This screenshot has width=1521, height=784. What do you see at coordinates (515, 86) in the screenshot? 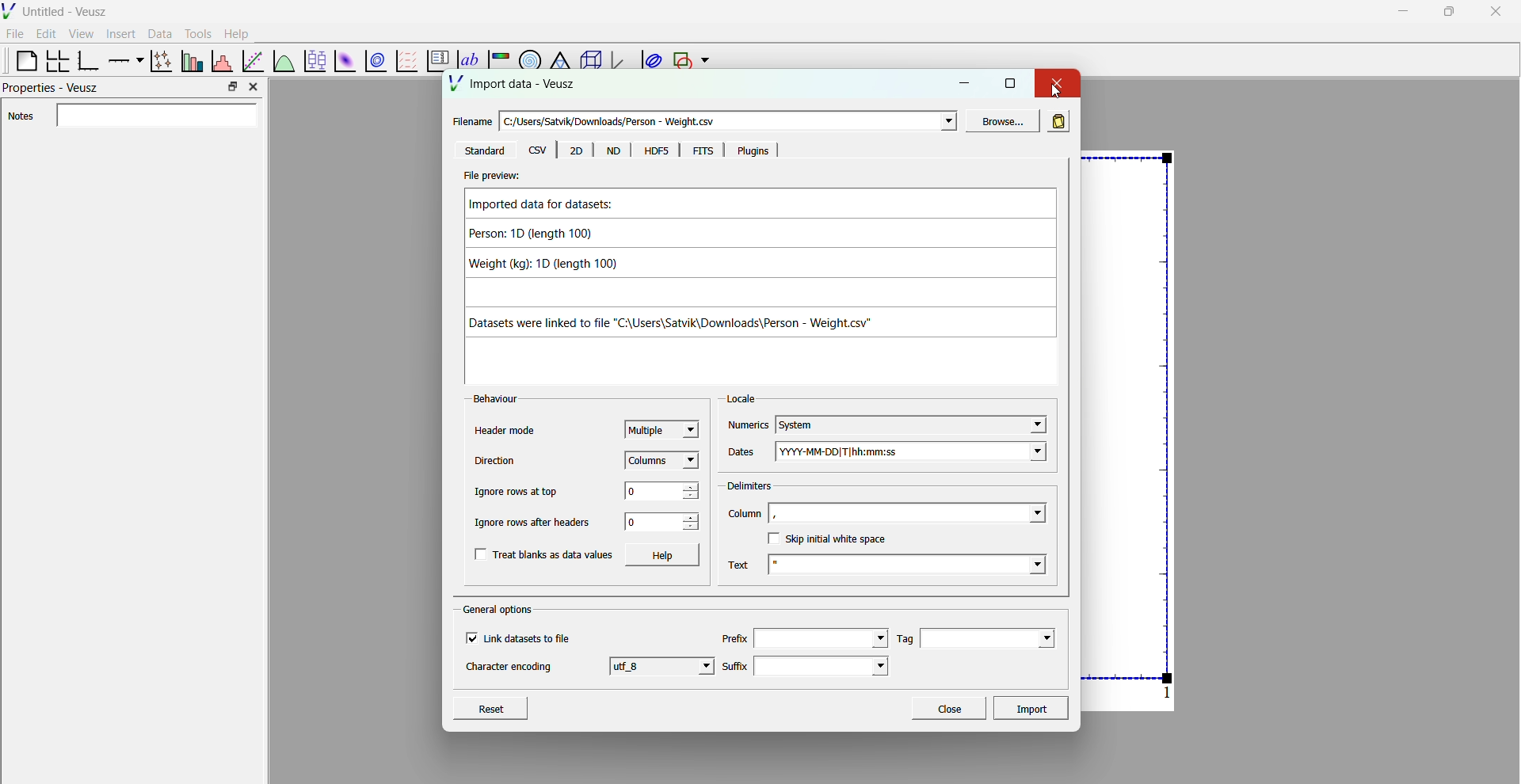
I see `Import Data - Veusz` at bounding box center [515, 86].